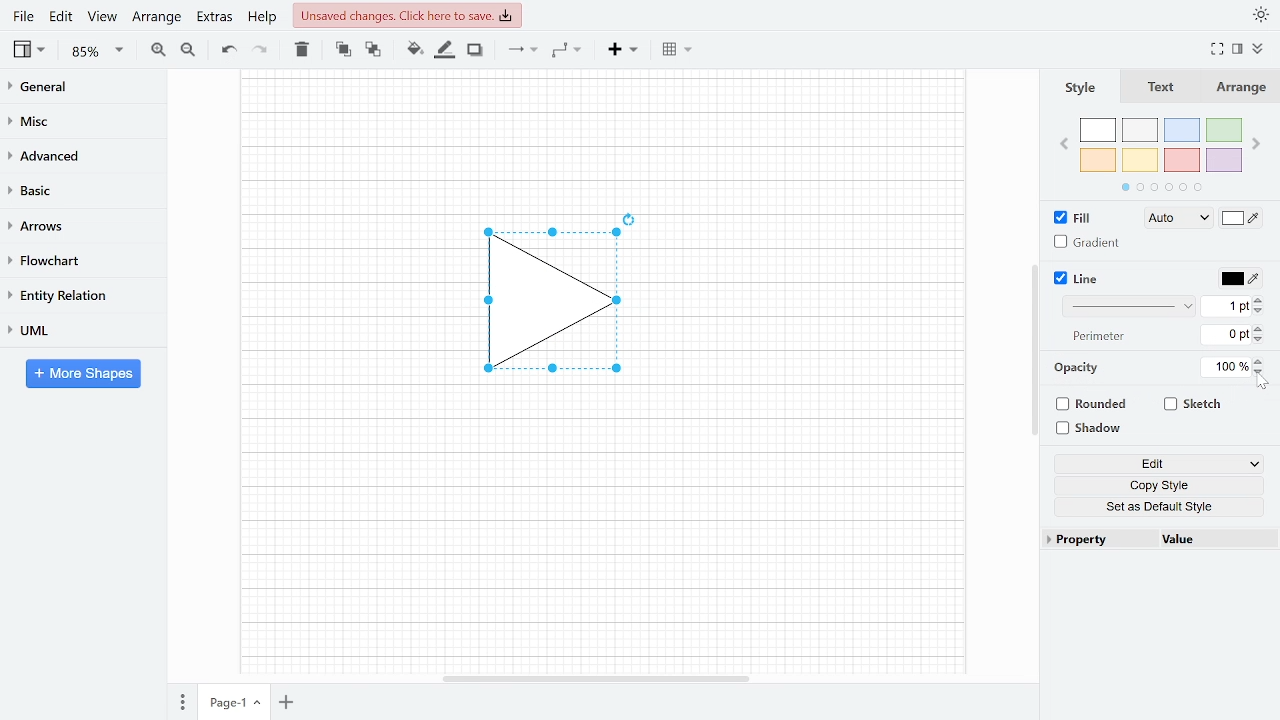 The image size is (1280, 720). Describe the element at coordinates (75, 120) in the screenshot. I see `MIsc` at that location.